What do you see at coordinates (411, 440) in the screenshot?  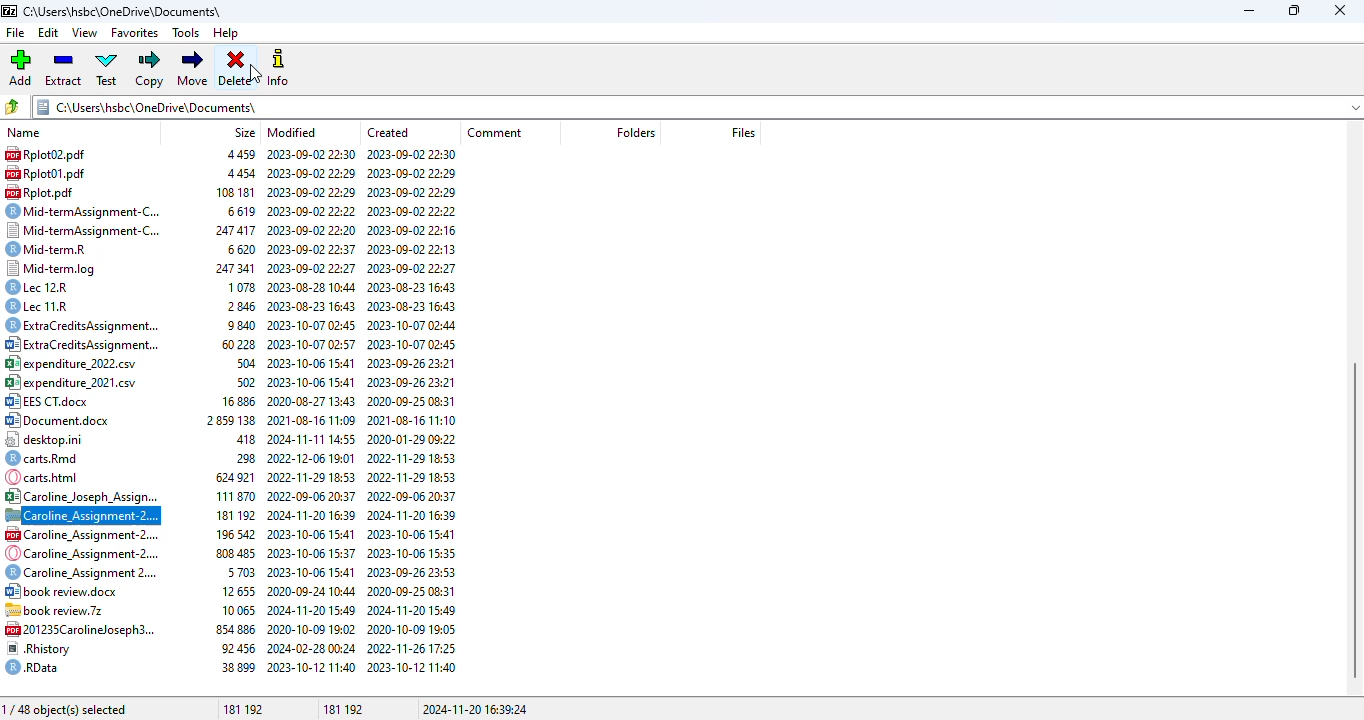 I see `2020-01-29 09:22` at bounding box center [411, 440].